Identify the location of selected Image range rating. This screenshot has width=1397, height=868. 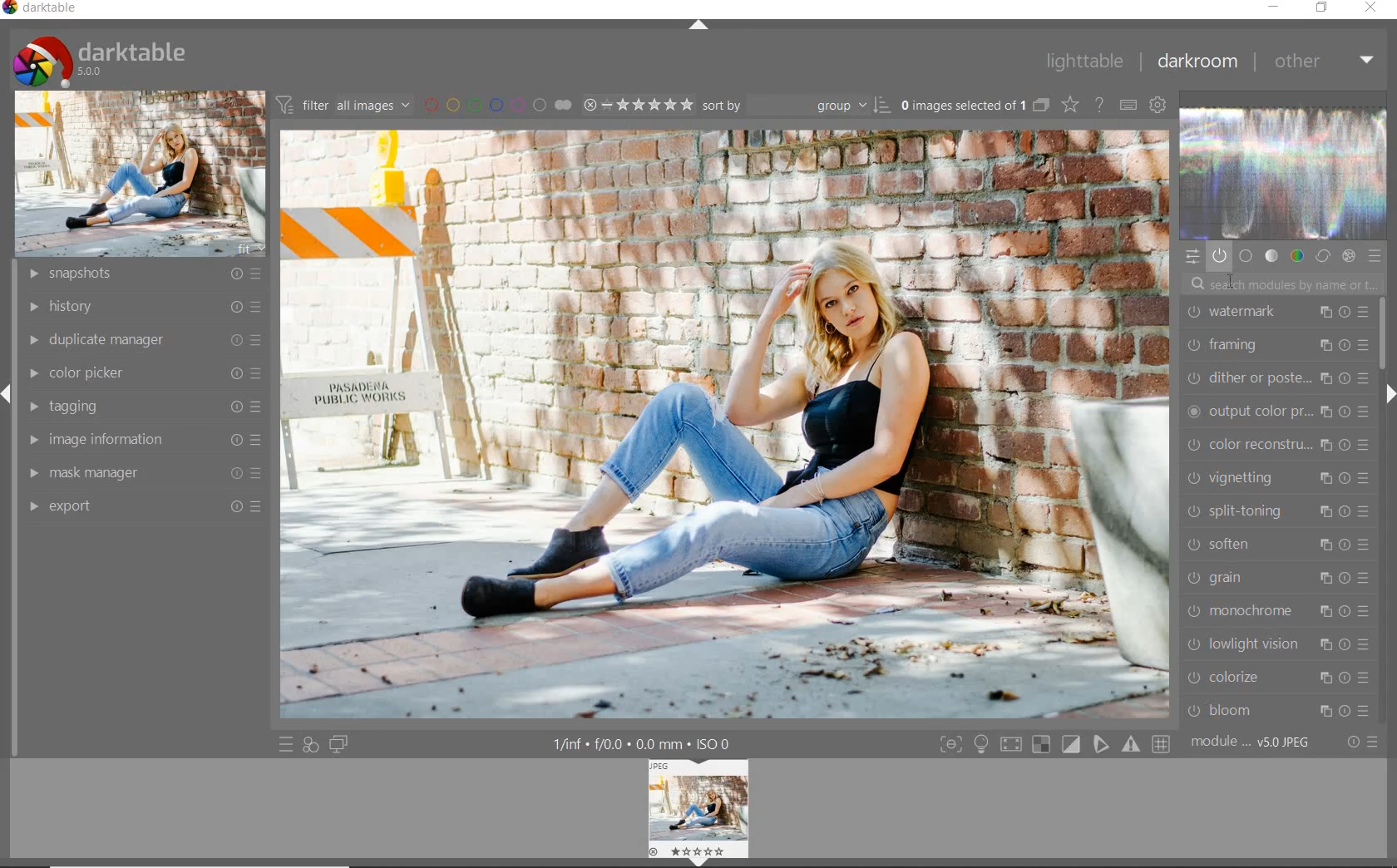
(638, 106).